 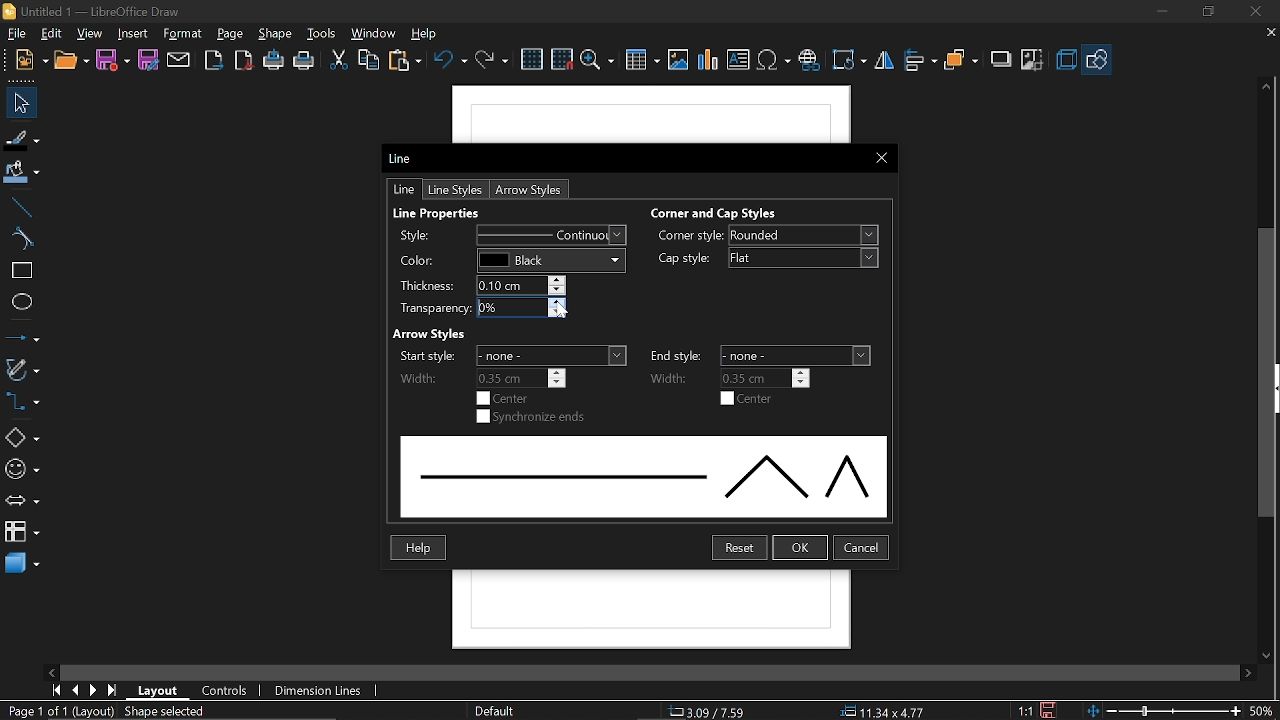 I want to click on rectangle, so click(x=20, y=271).